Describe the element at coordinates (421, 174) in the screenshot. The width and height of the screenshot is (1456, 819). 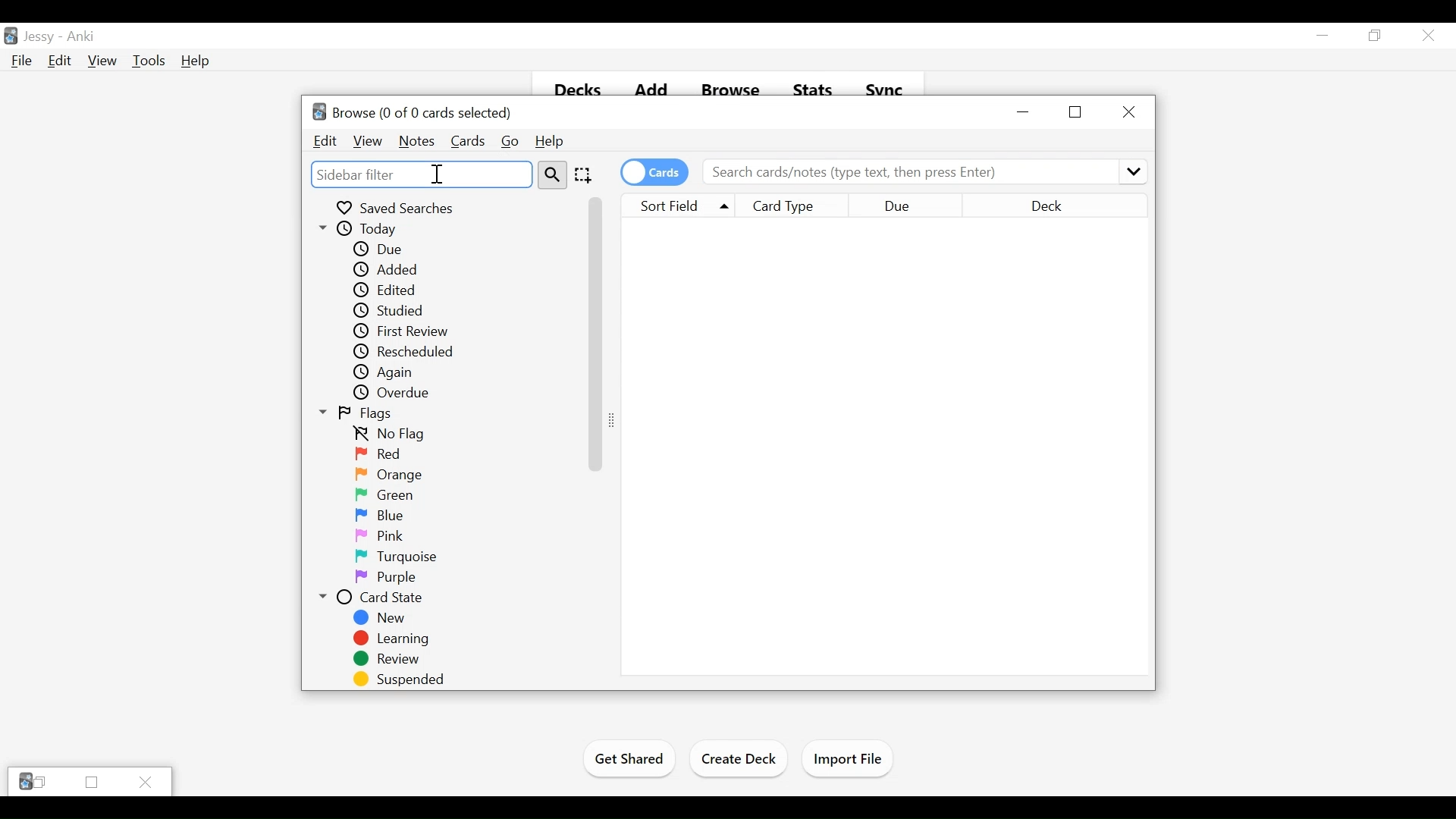
I see `Sidebar Filter` at that location.